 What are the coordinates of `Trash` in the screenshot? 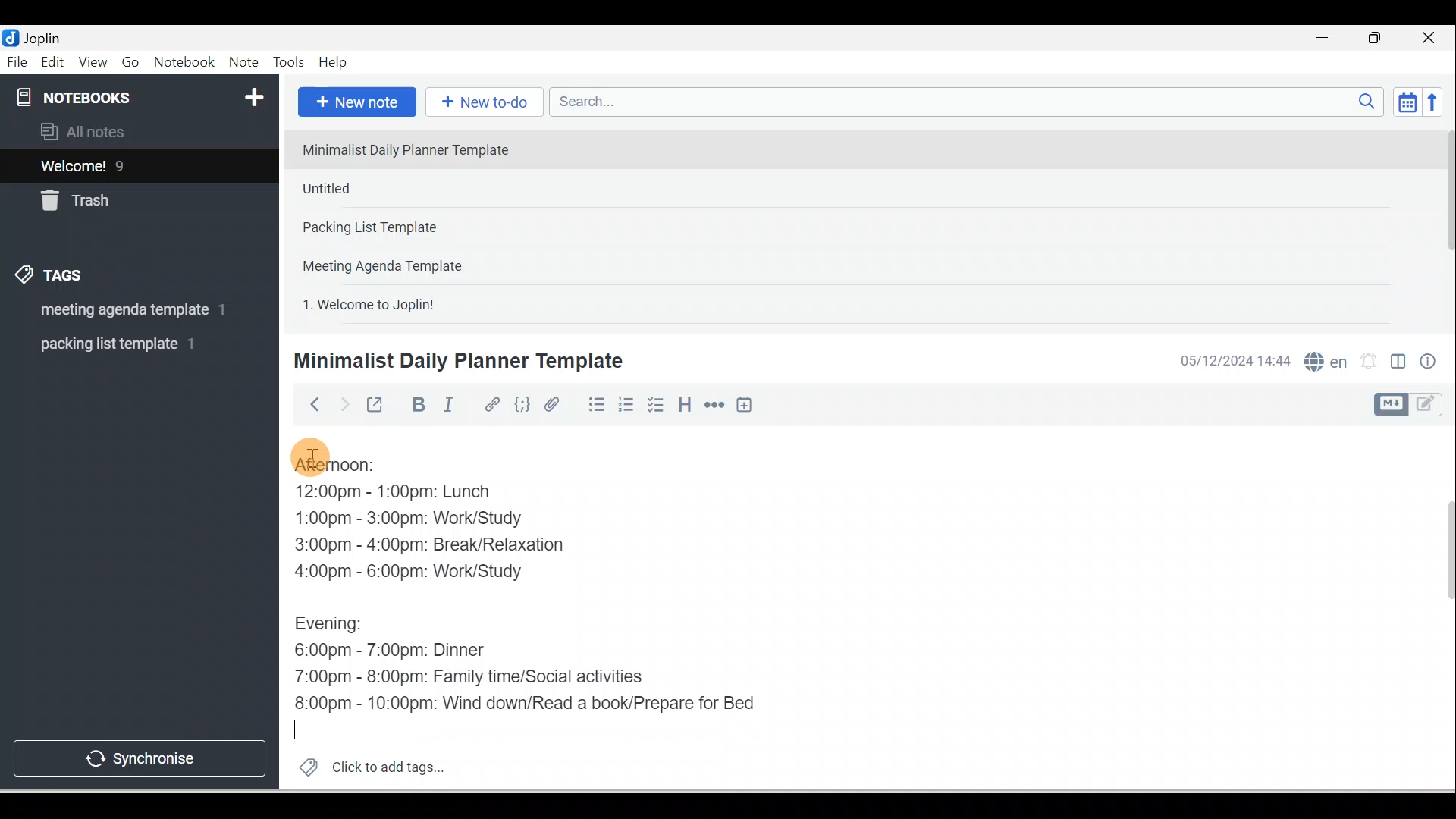 It's located at (111, 196).